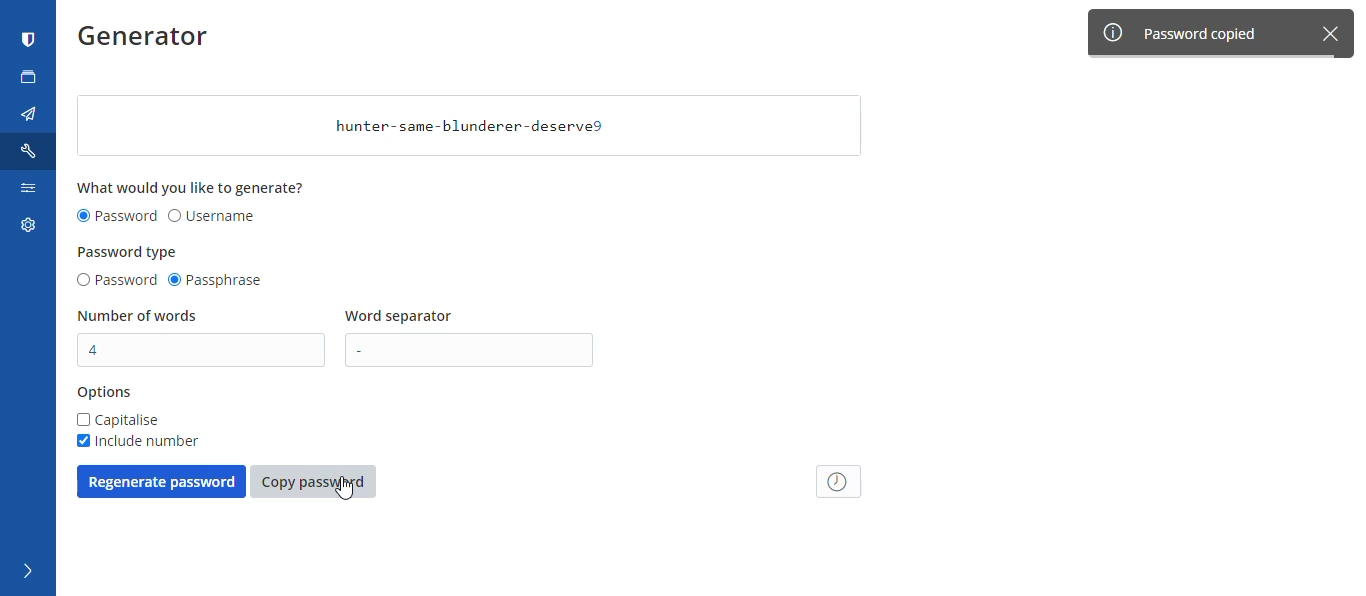 This screenshot has height=596, width=1366. Describe the element at coordinates (313, 482) in the screenshot. I see `copy password` at that location.